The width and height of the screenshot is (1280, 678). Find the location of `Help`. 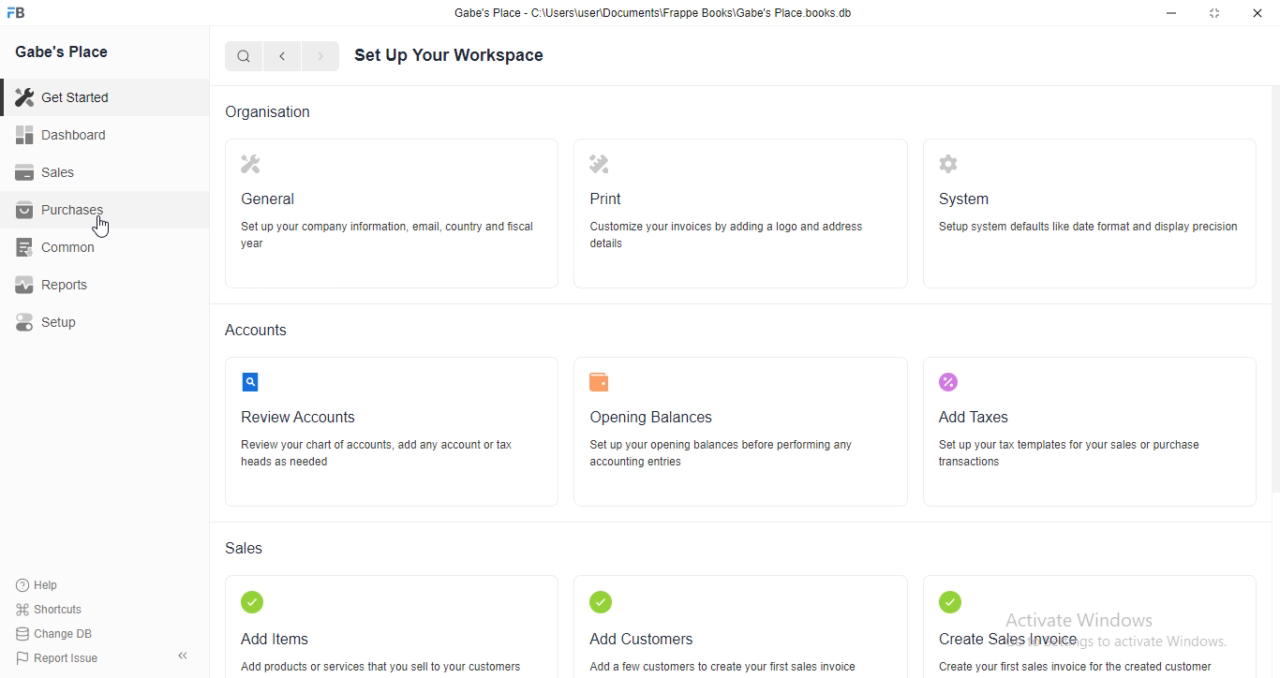

Help is located at coordinates (40, 586).